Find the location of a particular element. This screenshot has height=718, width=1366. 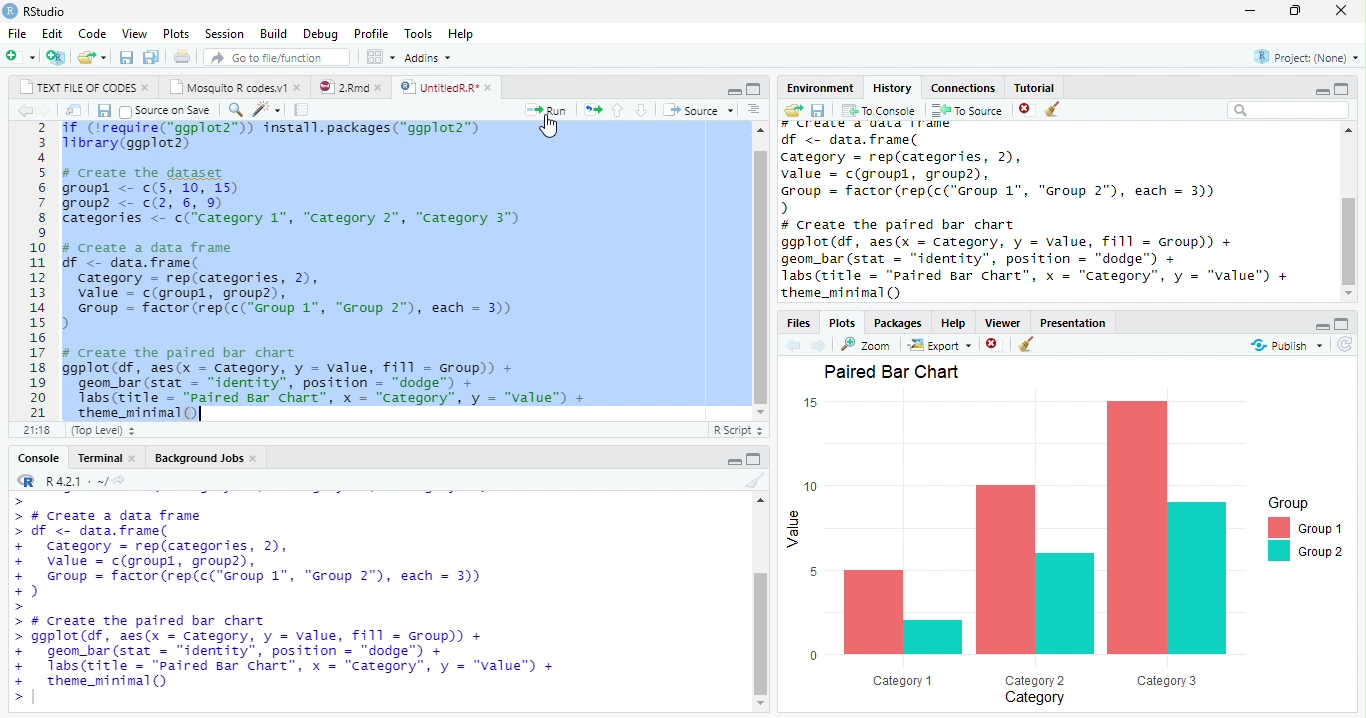

clear all objects is located at coordinates (1053, 110).